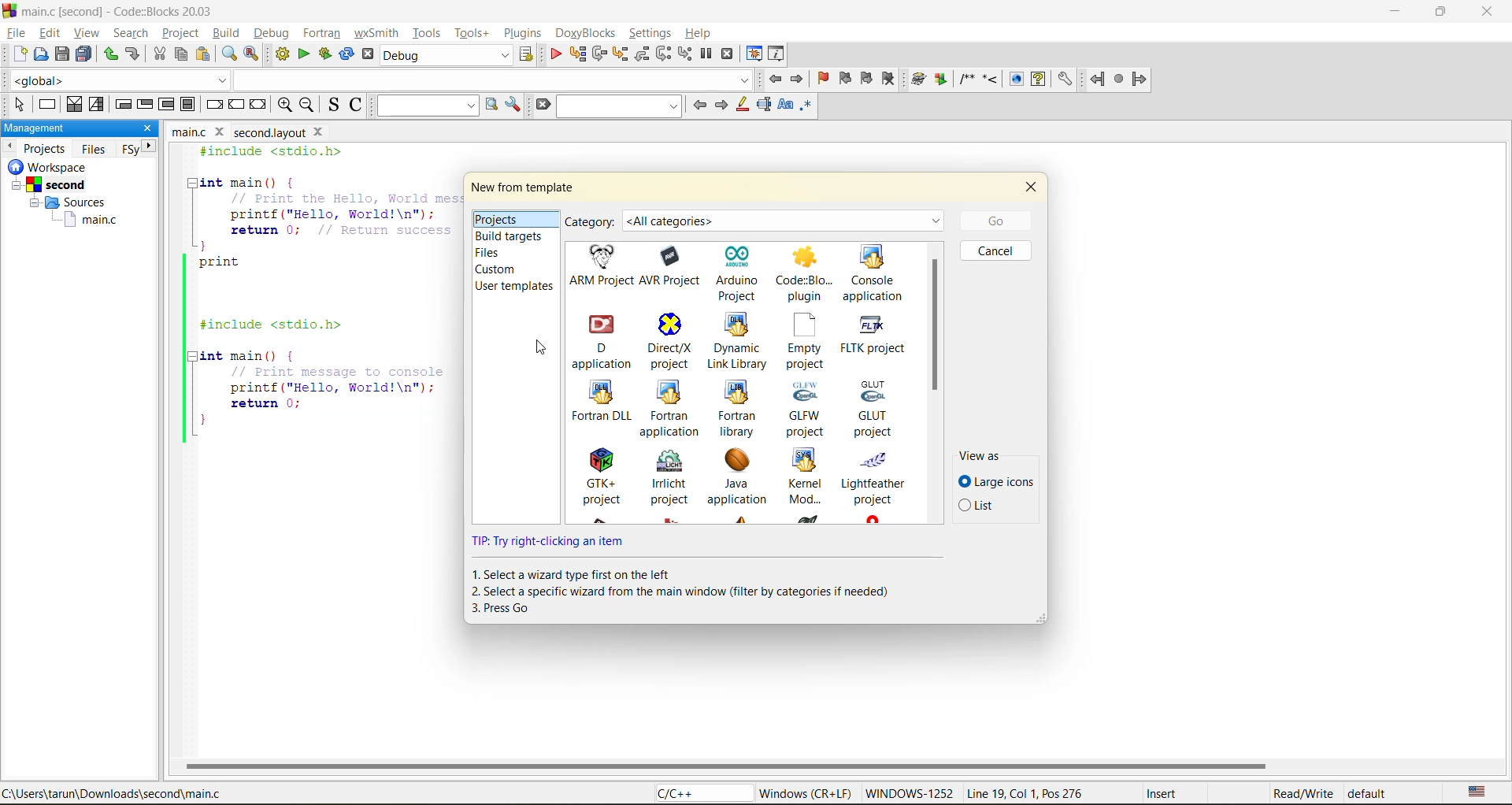 The height and width of the screenshot is (805, 1512). What do you see at coordinates (371, 55) in the screenshot?
I see `abort` at bounding box center [371, 55].